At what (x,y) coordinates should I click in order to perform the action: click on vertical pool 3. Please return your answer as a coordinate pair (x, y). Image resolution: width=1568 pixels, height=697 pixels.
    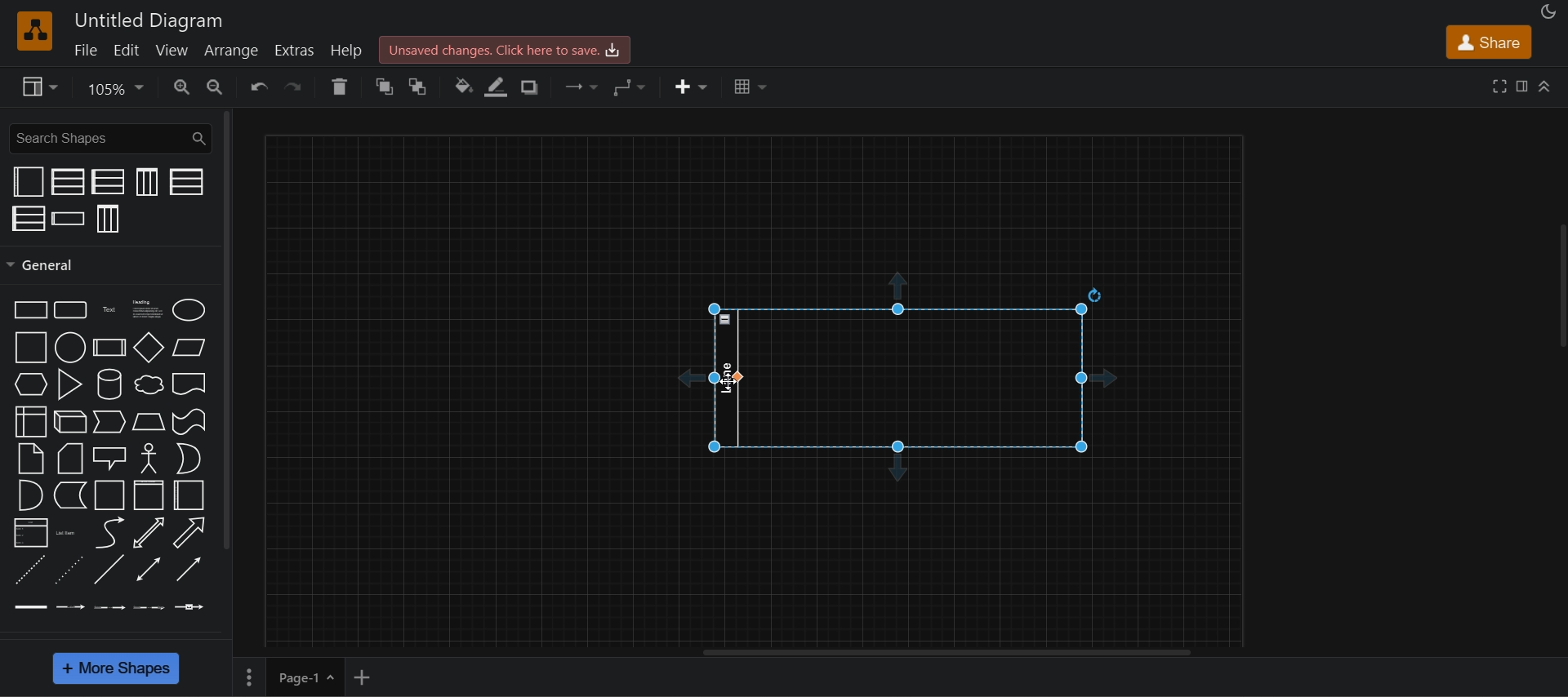
    Looking at the image, I should click on (109, 219).